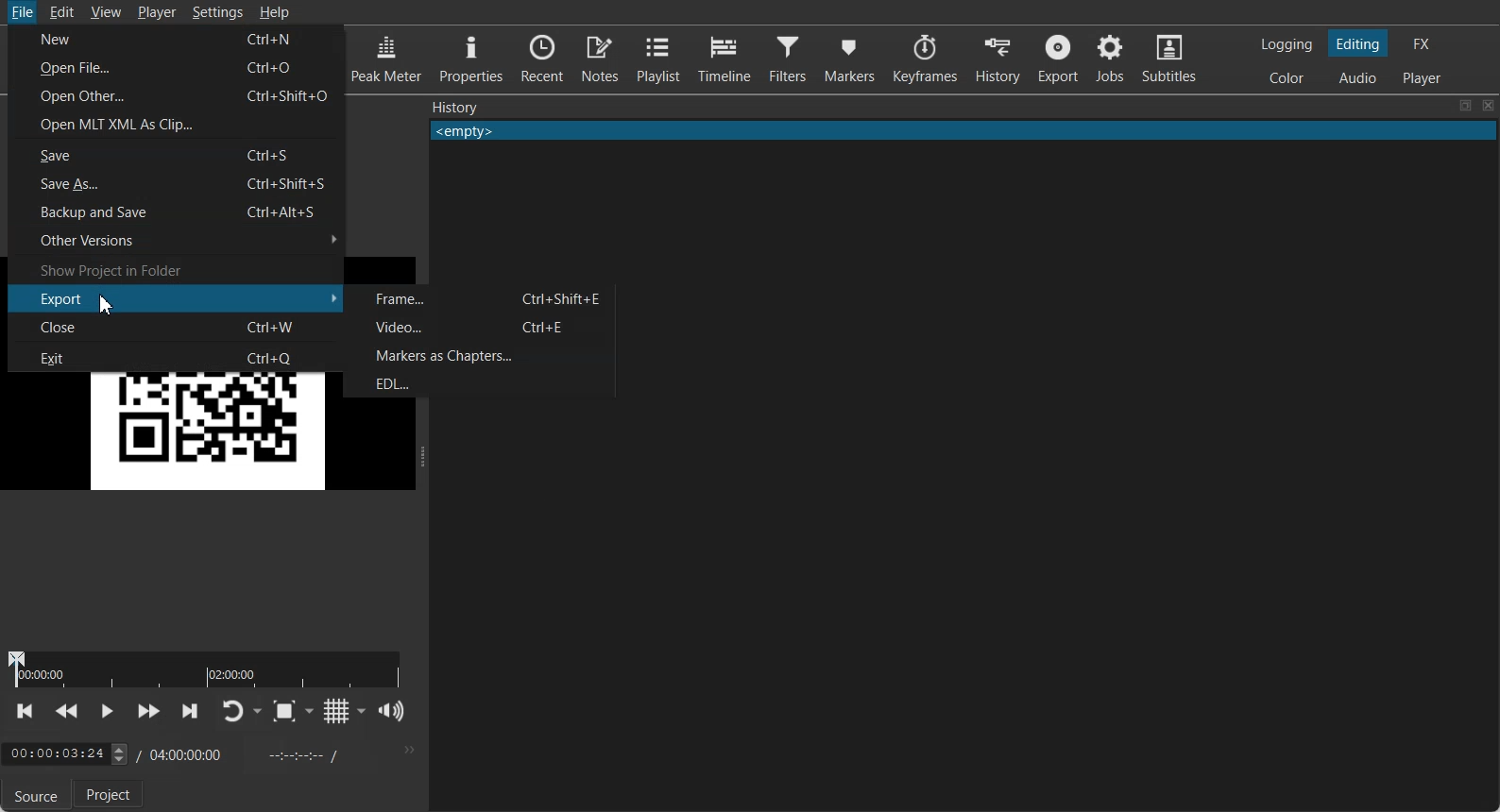  I want to click on Ctrl+Alt+S, so click(285, 211).